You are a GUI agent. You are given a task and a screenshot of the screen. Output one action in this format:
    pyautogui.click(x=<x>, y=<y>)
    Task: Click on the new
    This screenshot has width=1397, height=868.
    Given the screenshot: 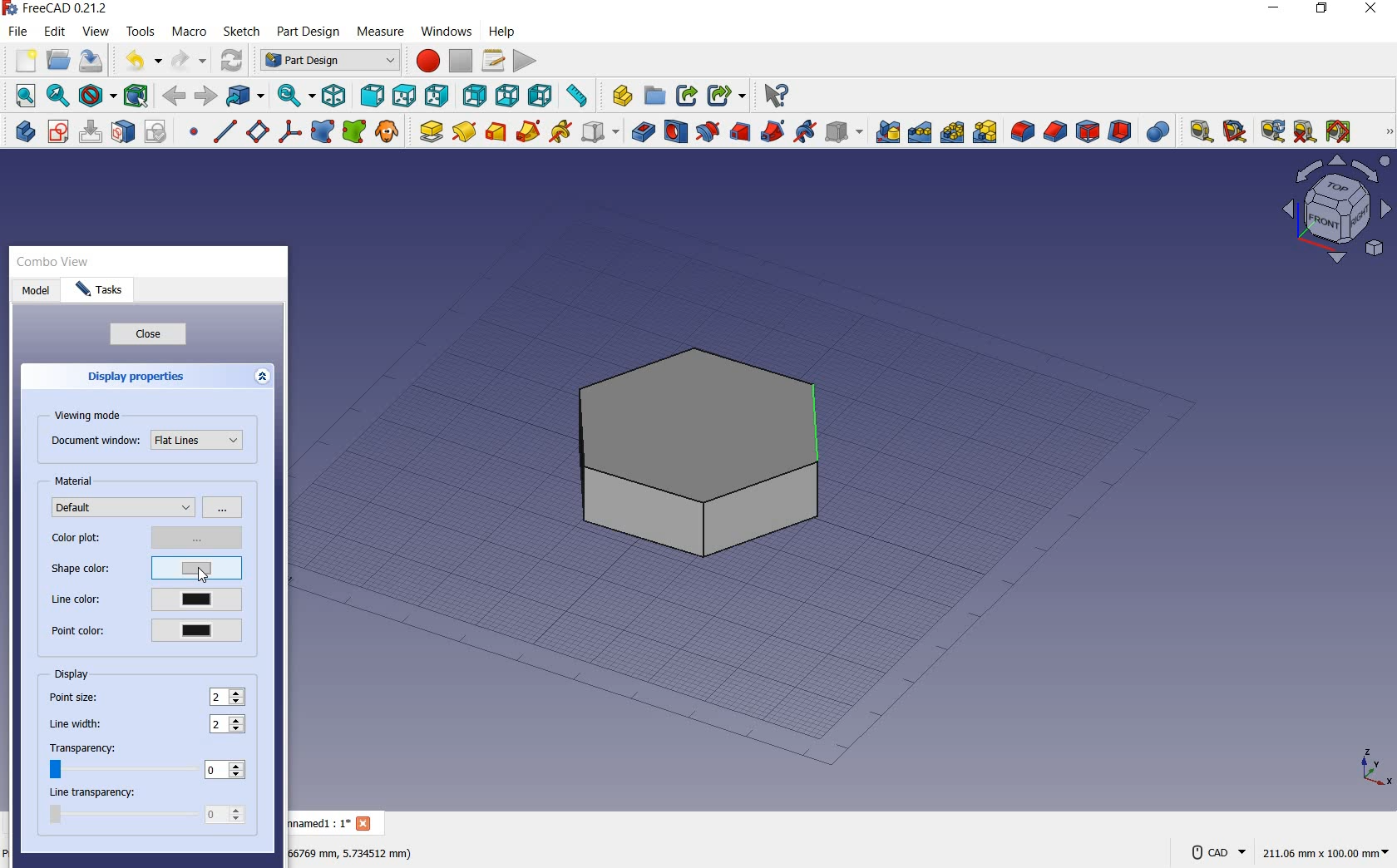 What is the action you would take?
    pyautogui.click(x=24, y=61)
    